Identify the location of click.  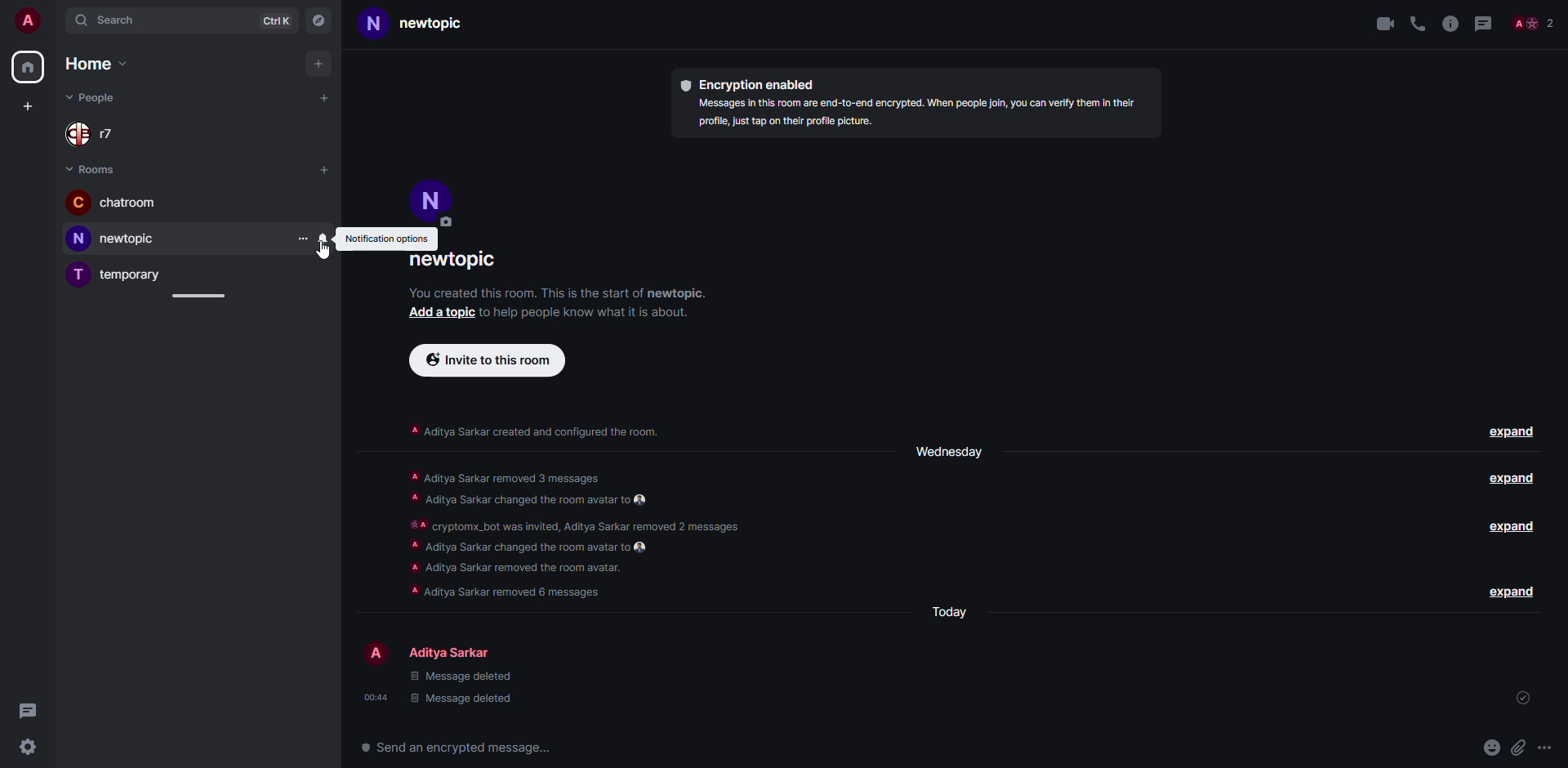
(323, 237).